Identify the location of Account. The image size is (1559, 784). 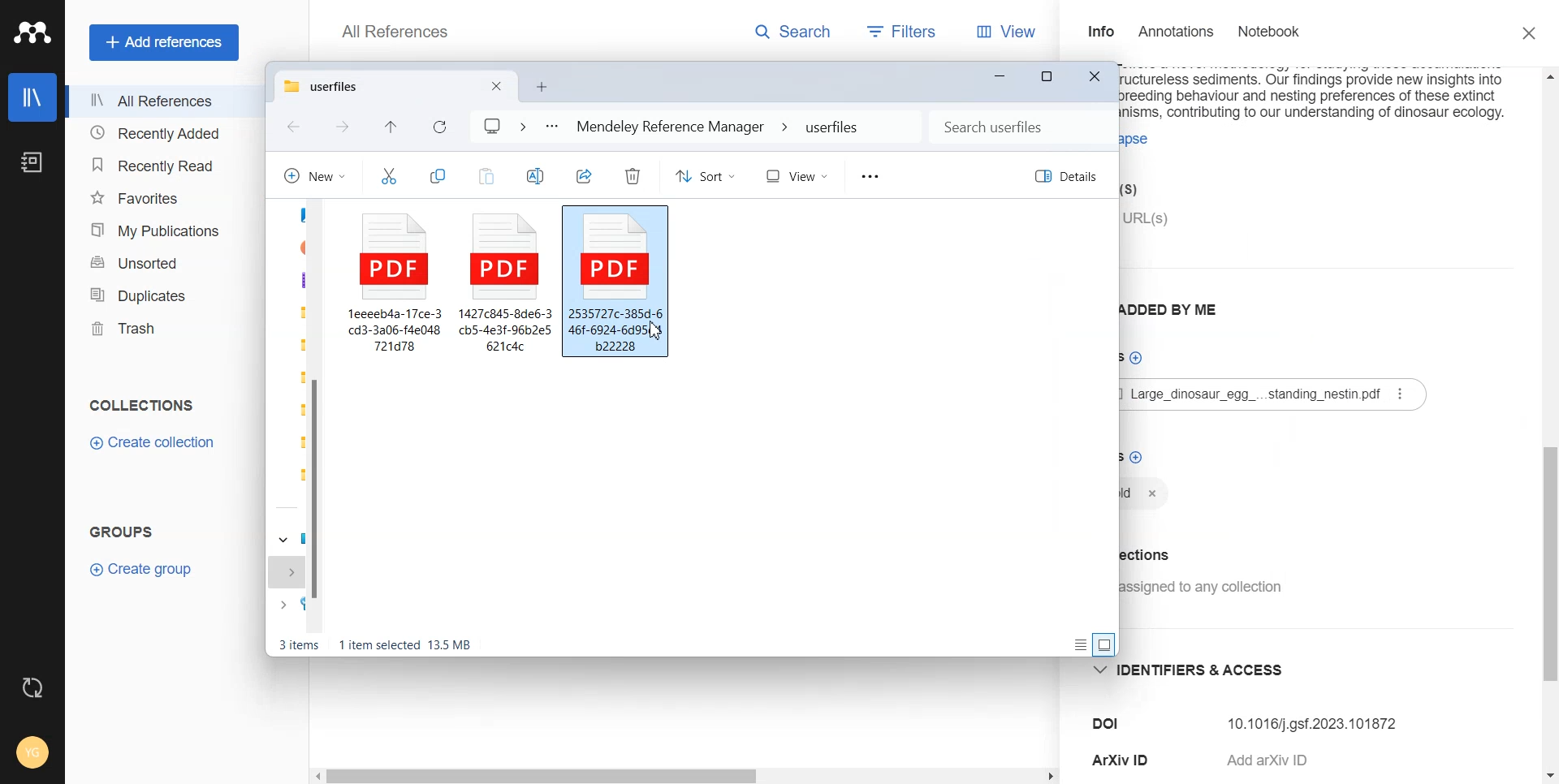
(32, 753).